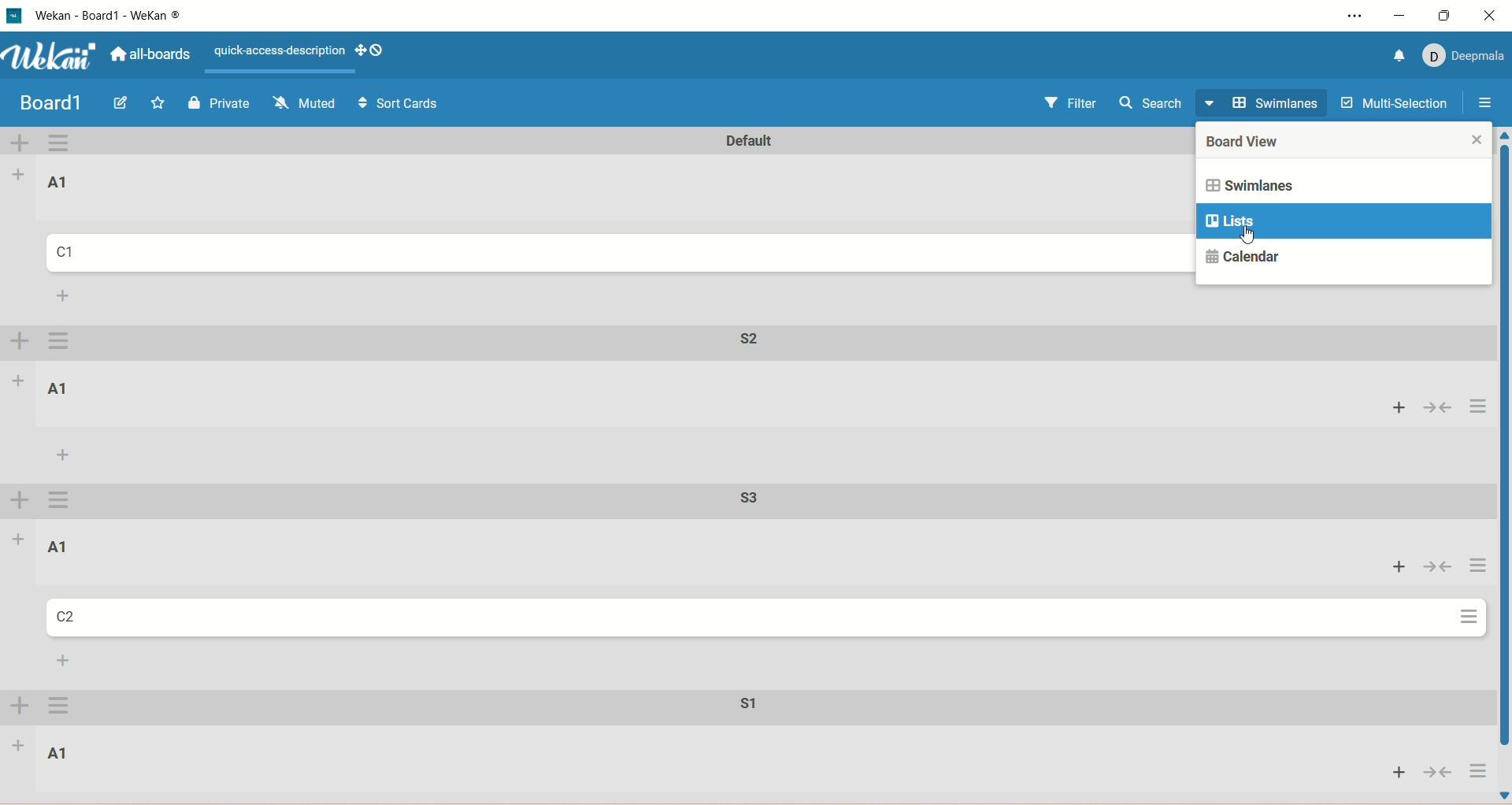  What do you see at coordinates (18, 707) in the screenshot?
I see `add swimlane` at bounding box center [18, 707].